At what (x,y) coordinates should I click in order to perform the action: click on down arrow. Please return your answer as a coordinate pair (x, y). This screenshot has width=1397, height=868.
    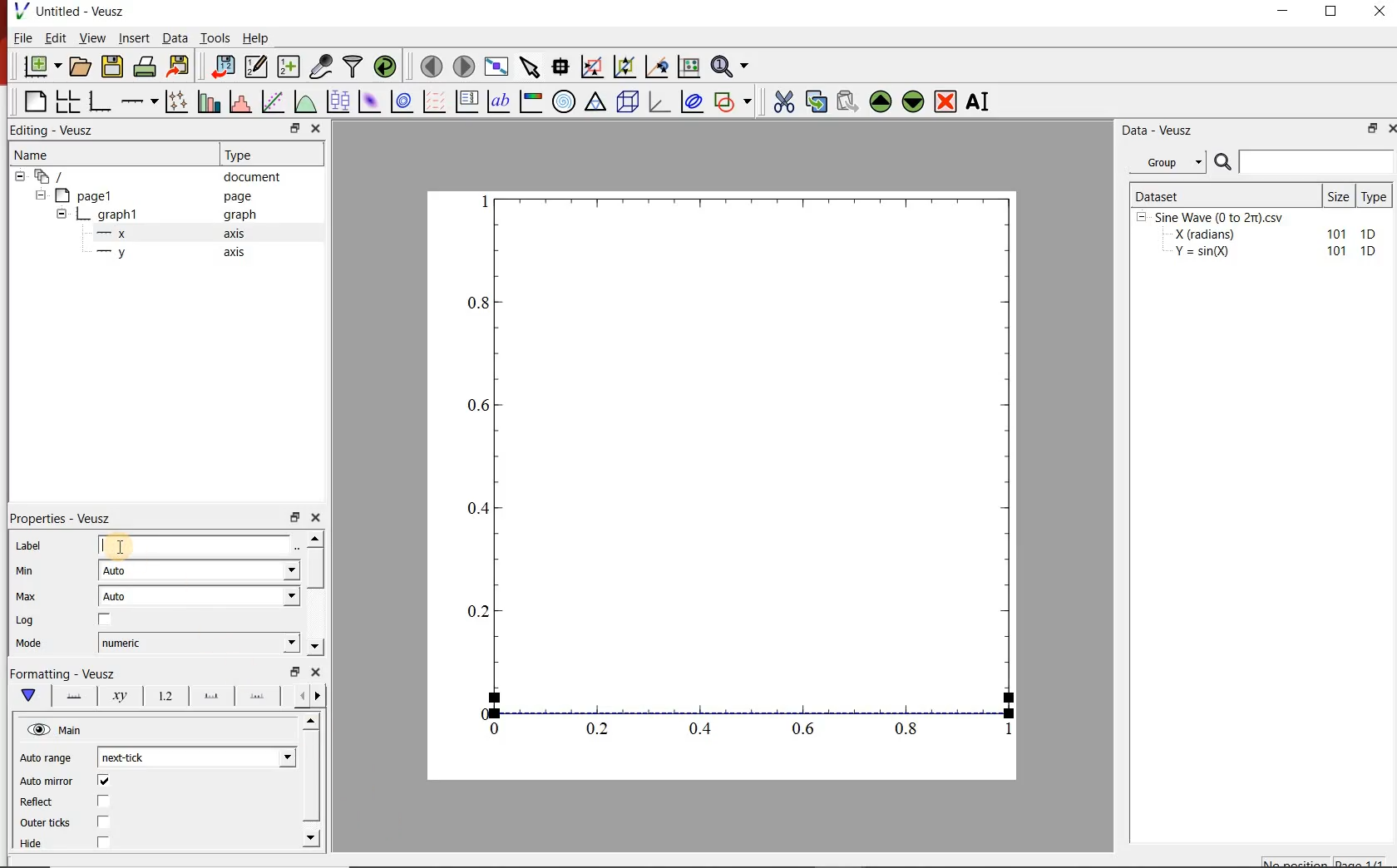
    Looking at the image, I should click on (27, 696).